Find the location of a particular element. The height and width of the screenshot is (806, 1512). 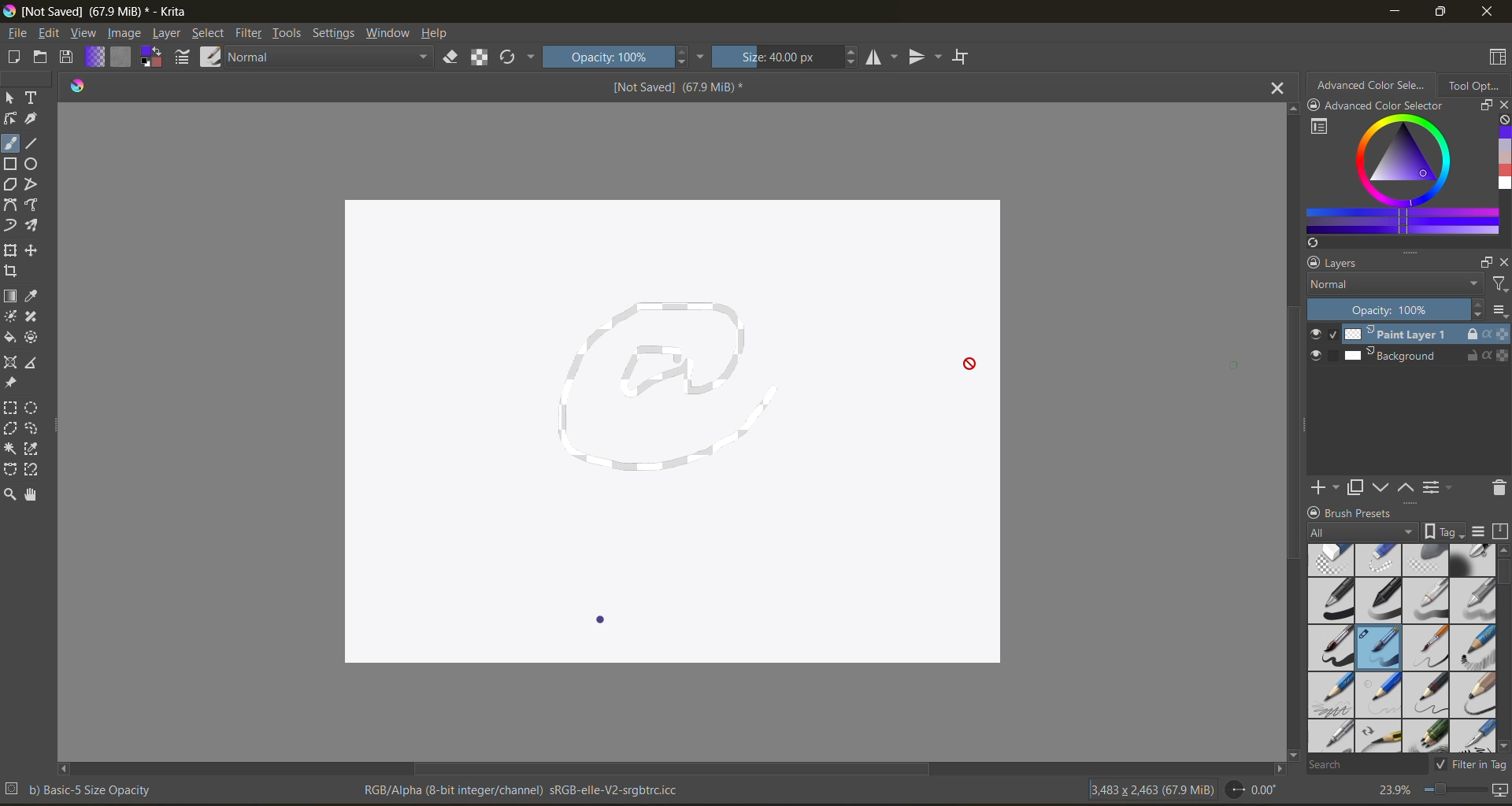

visible is located at coordinates (1314, 356).